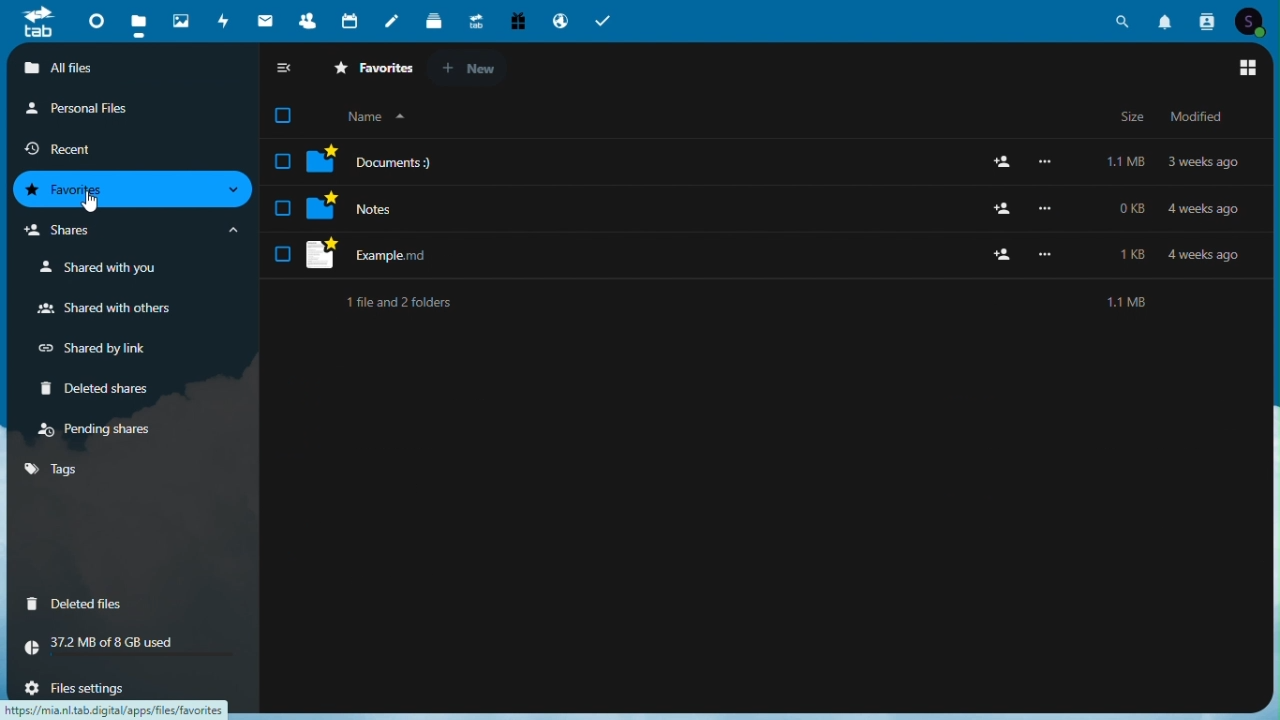 This screenshot has height=720, width=1280. I want to click on Shared with you, so click(127, 267).